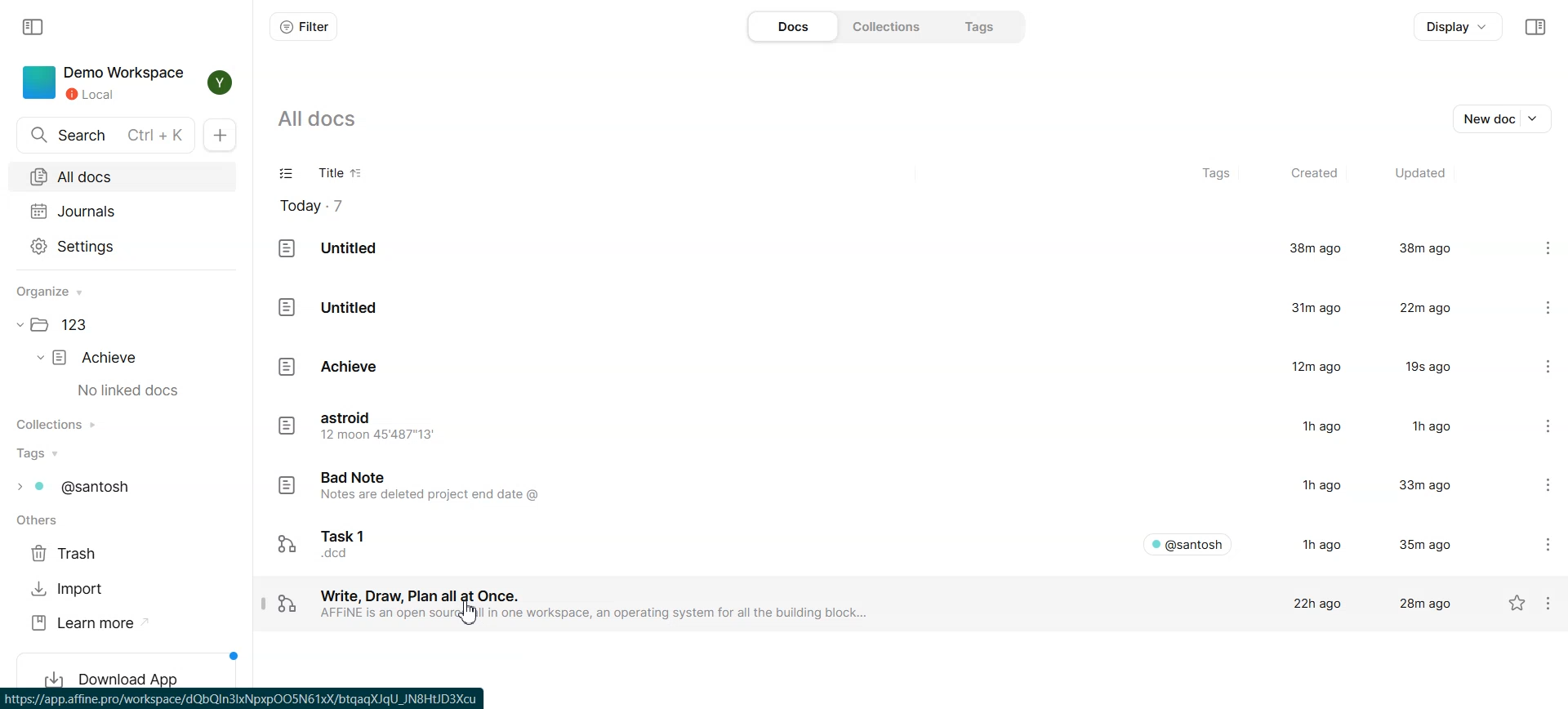  Describe the element at coordinates (102, 82) in the screenshot. I see `Demo workspace` at that location.